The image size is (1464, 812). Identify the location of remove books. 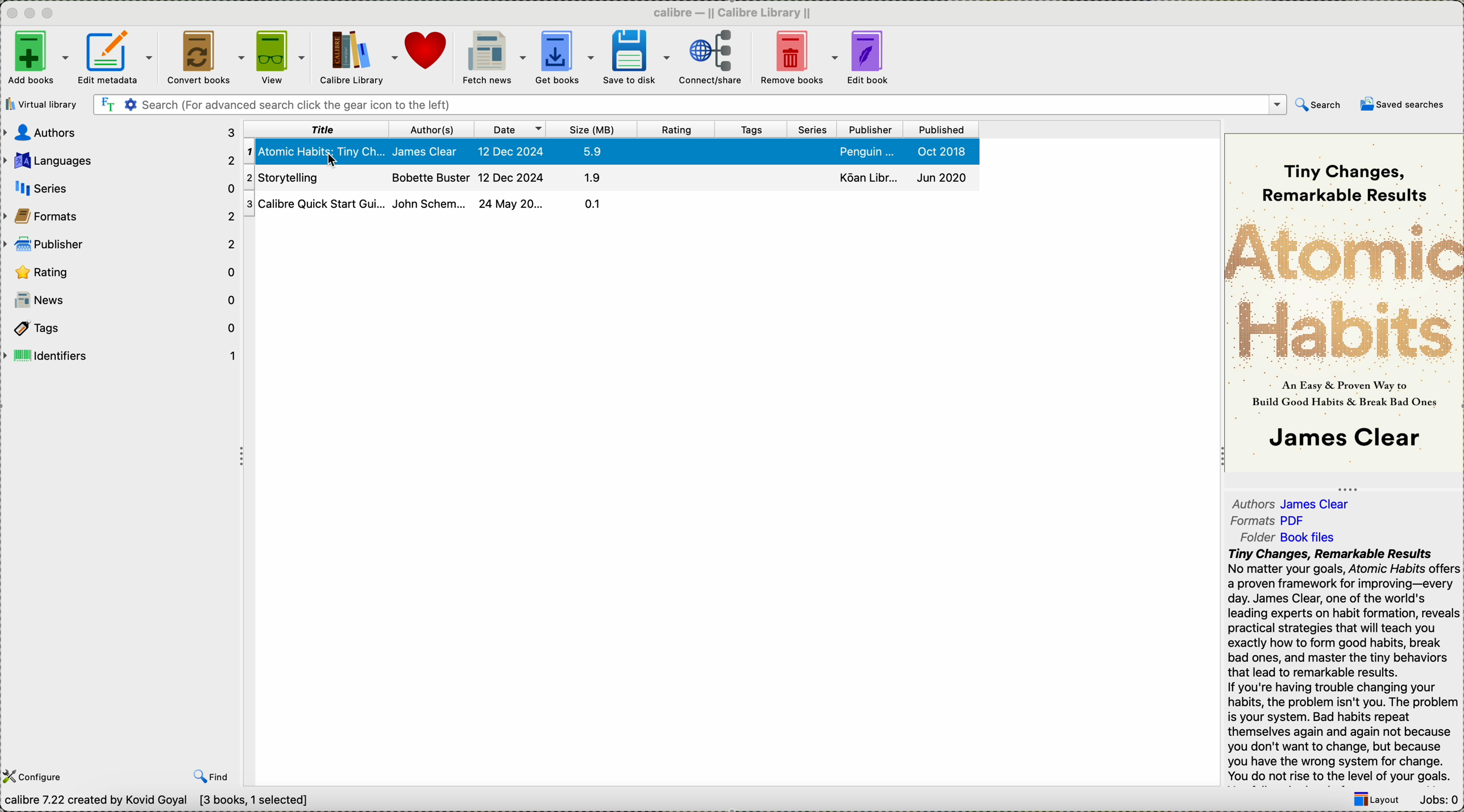
(798, 59).